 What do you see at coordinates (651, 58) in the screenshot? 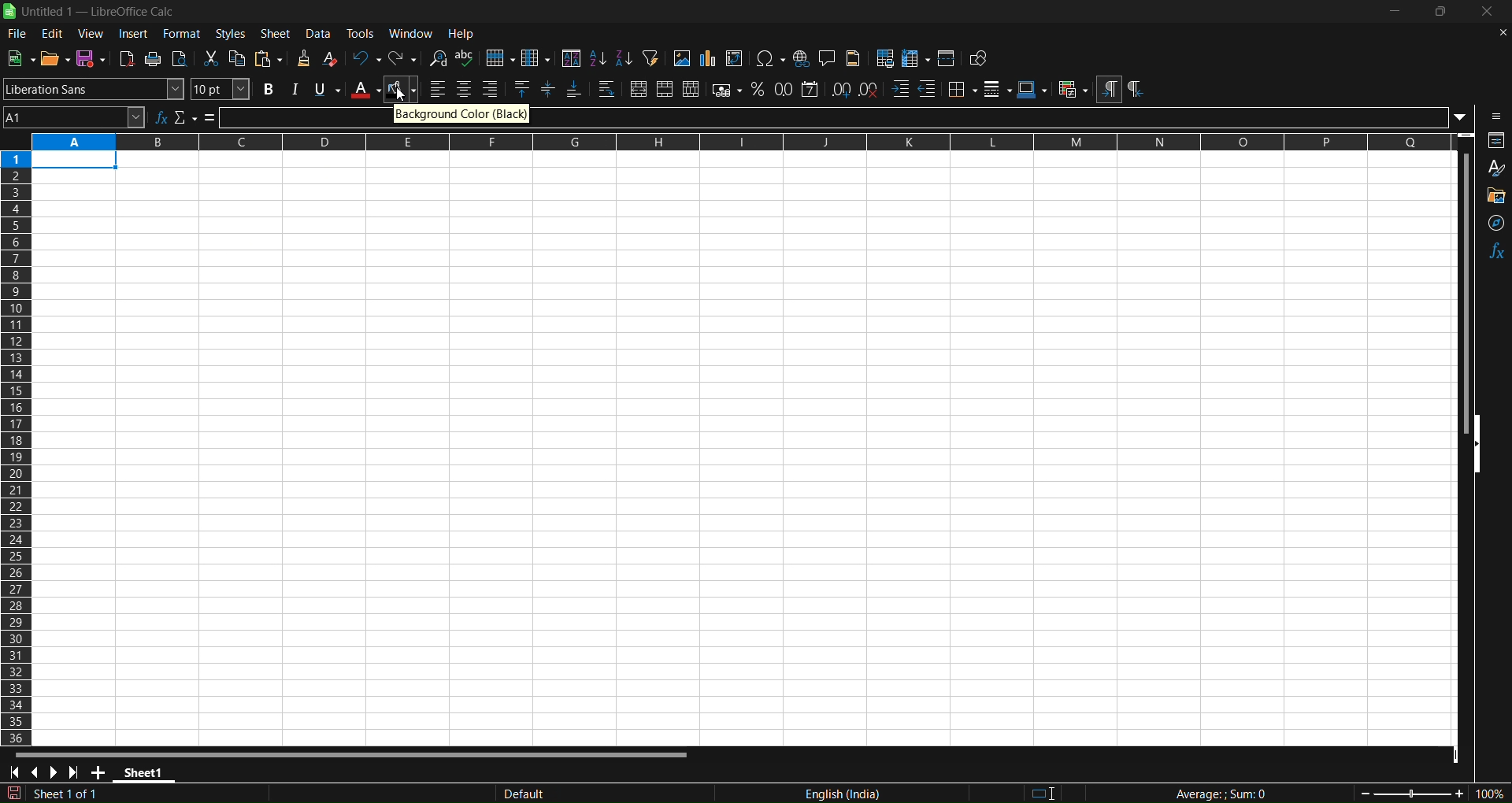
I see `auto filter` at bounding box center [651, 58].